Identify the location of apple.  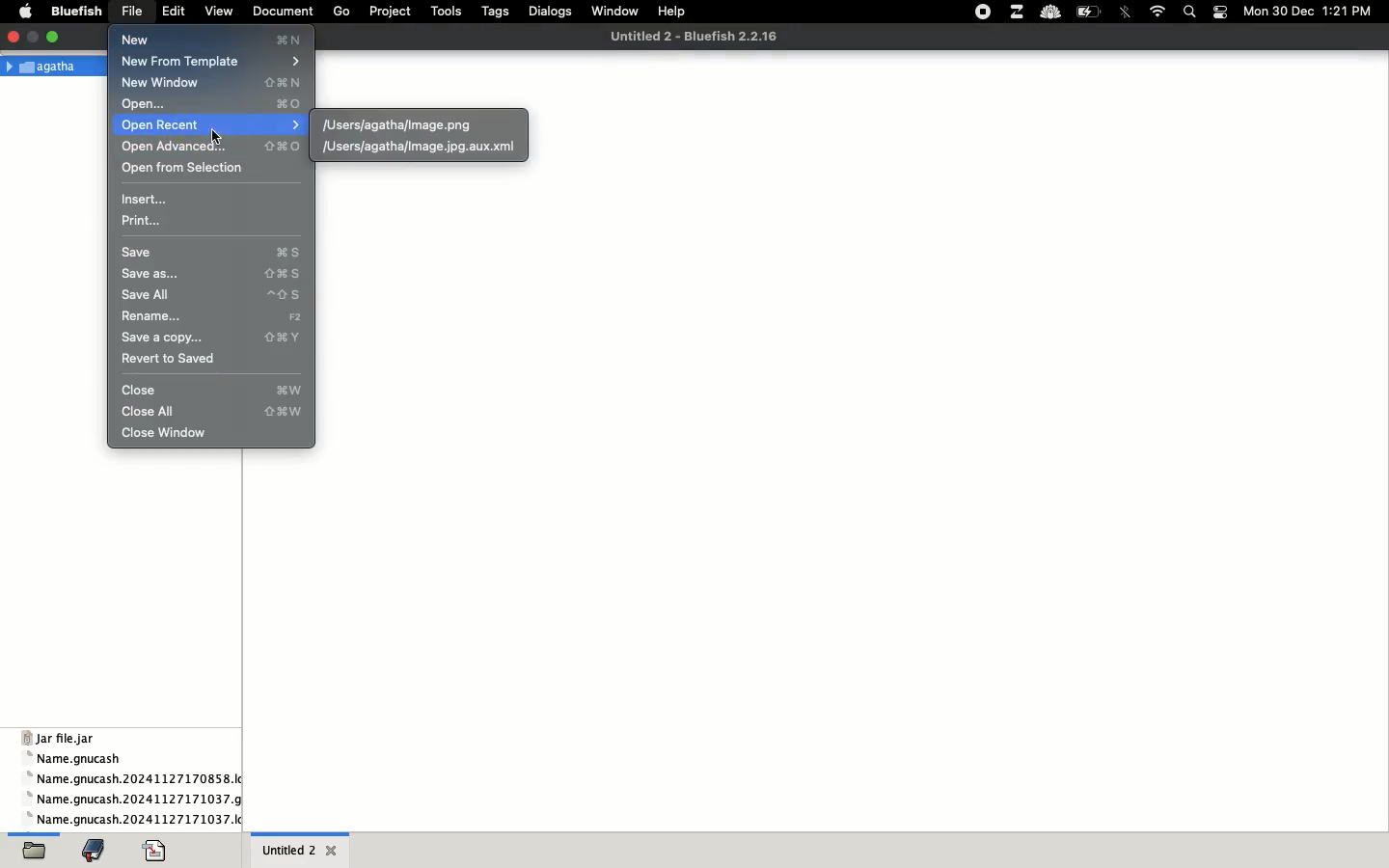
(24, 12).